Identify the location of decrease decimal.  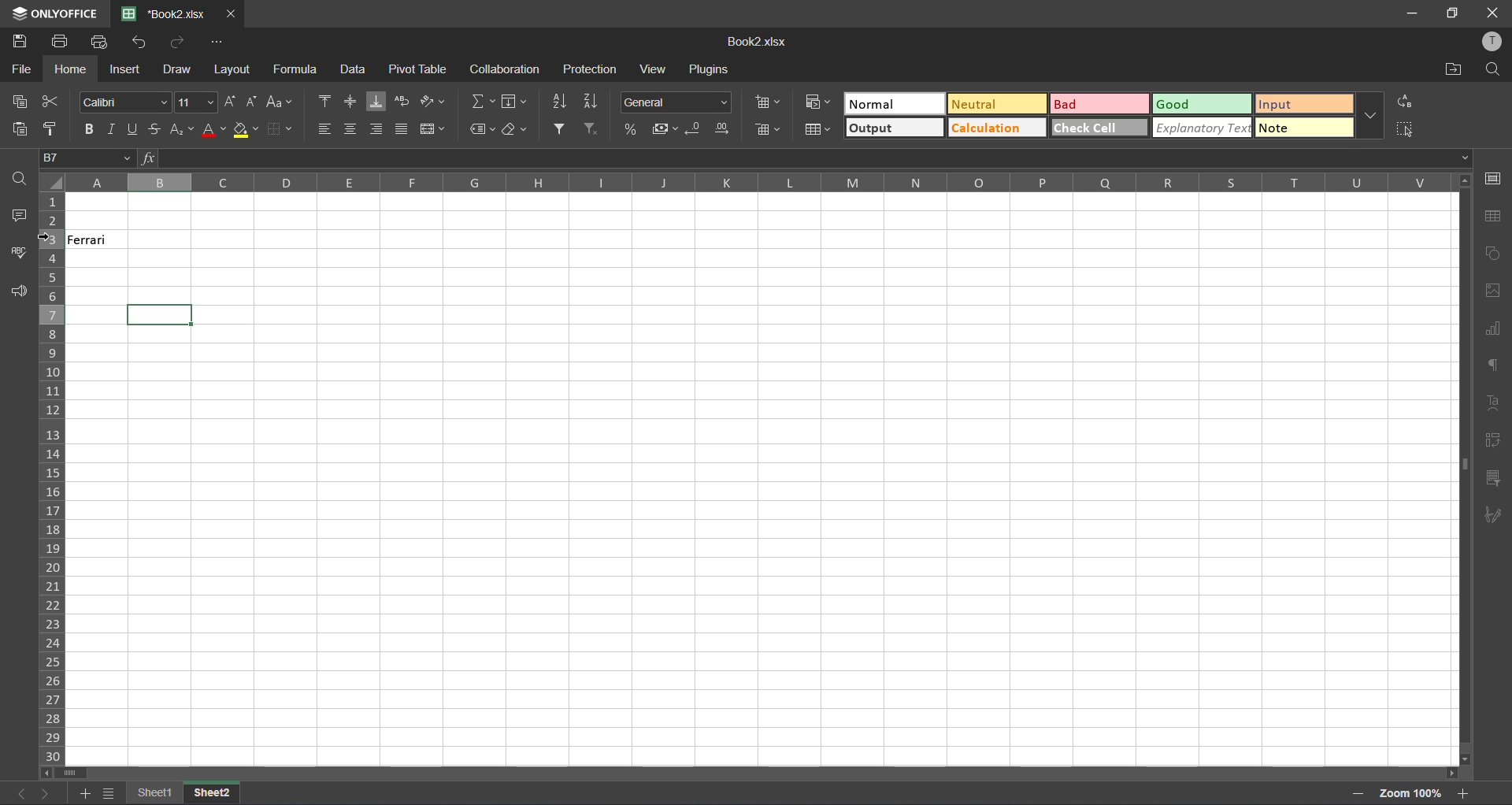
(695, 127).